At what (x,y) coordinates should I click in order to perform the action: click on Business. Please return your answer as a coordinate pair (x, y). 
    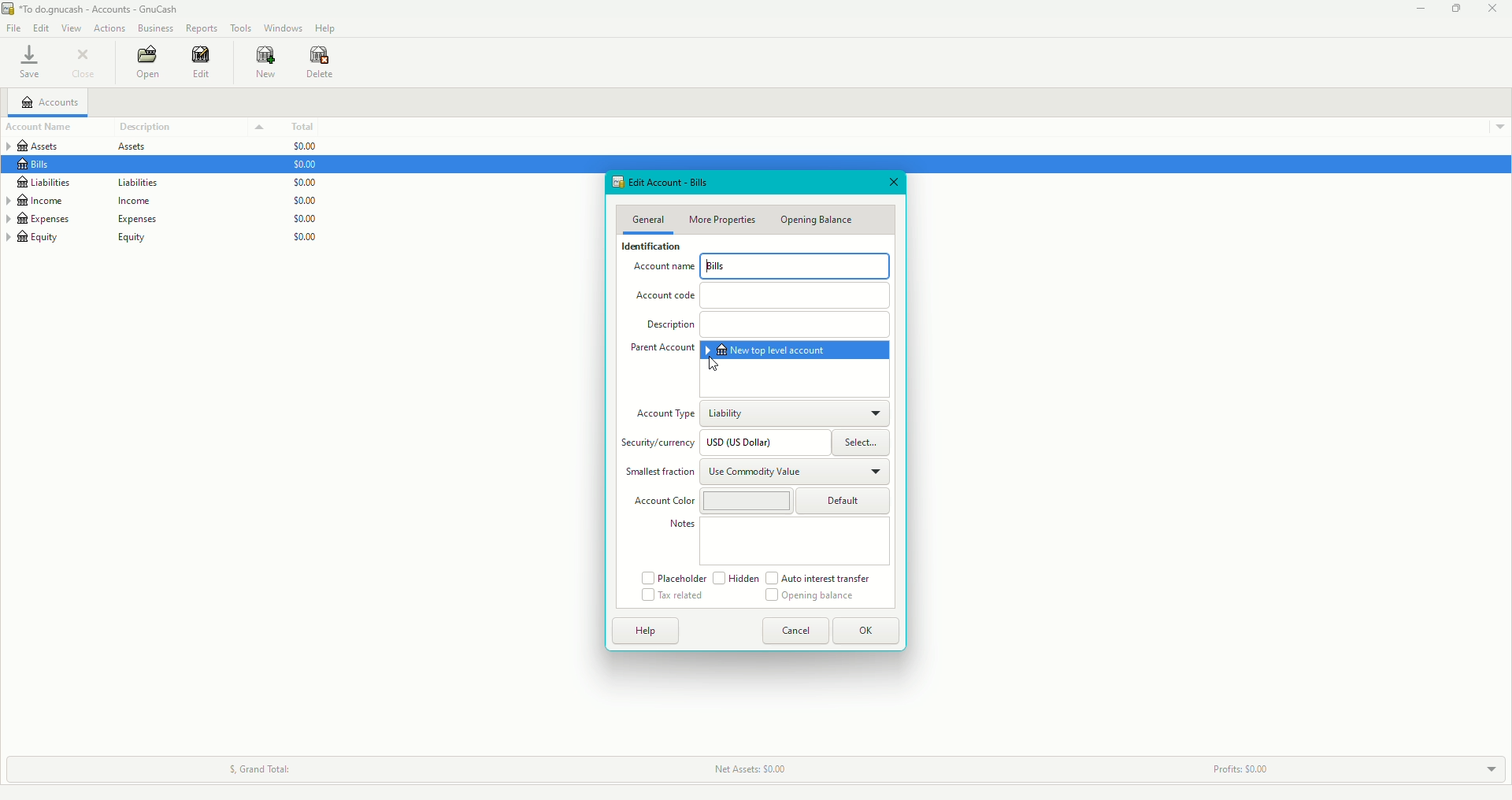
    Looking at the image, I should click on (156, 28).